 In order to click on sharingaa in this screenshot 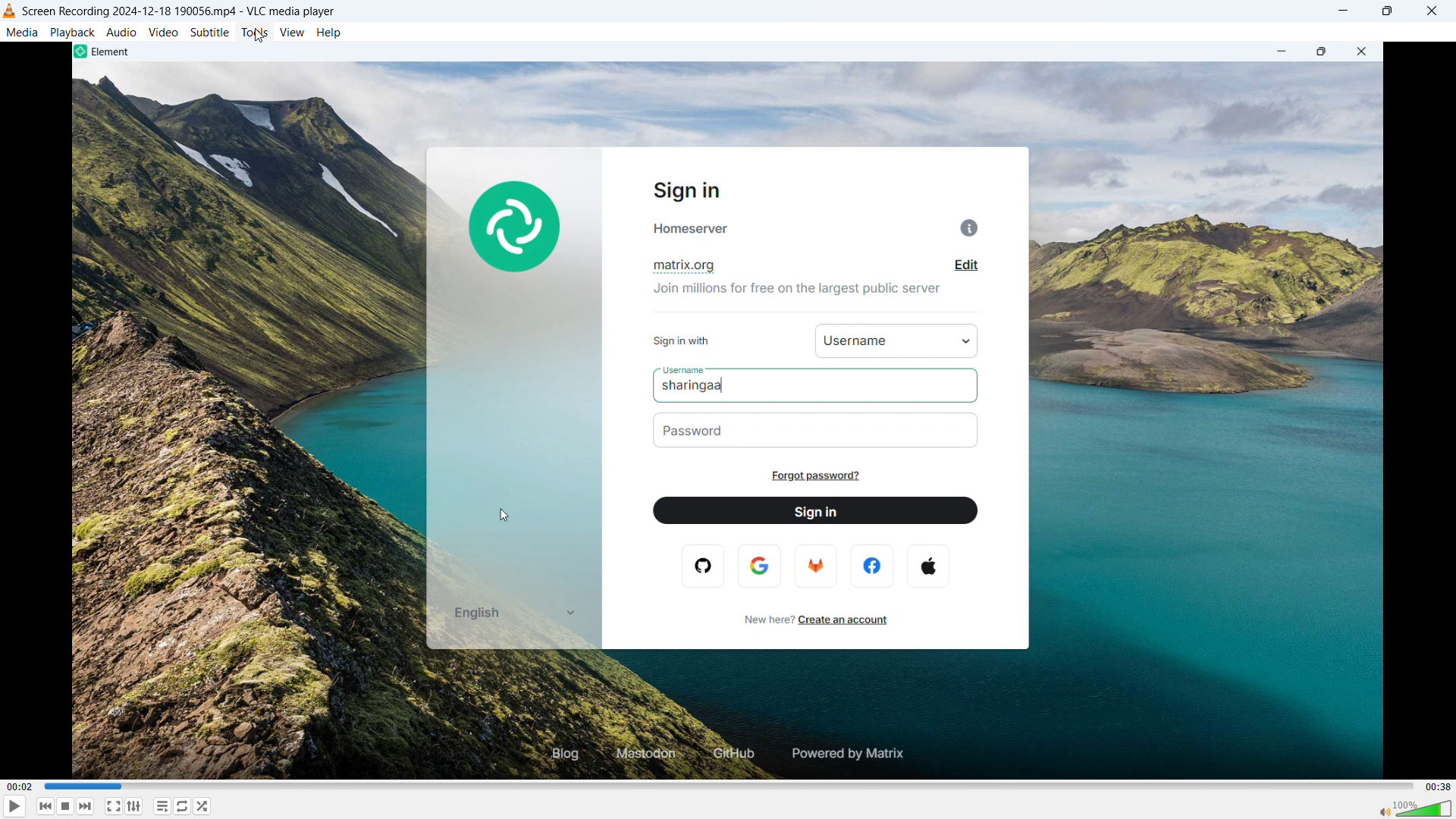, I will do `click(818, 391)`.